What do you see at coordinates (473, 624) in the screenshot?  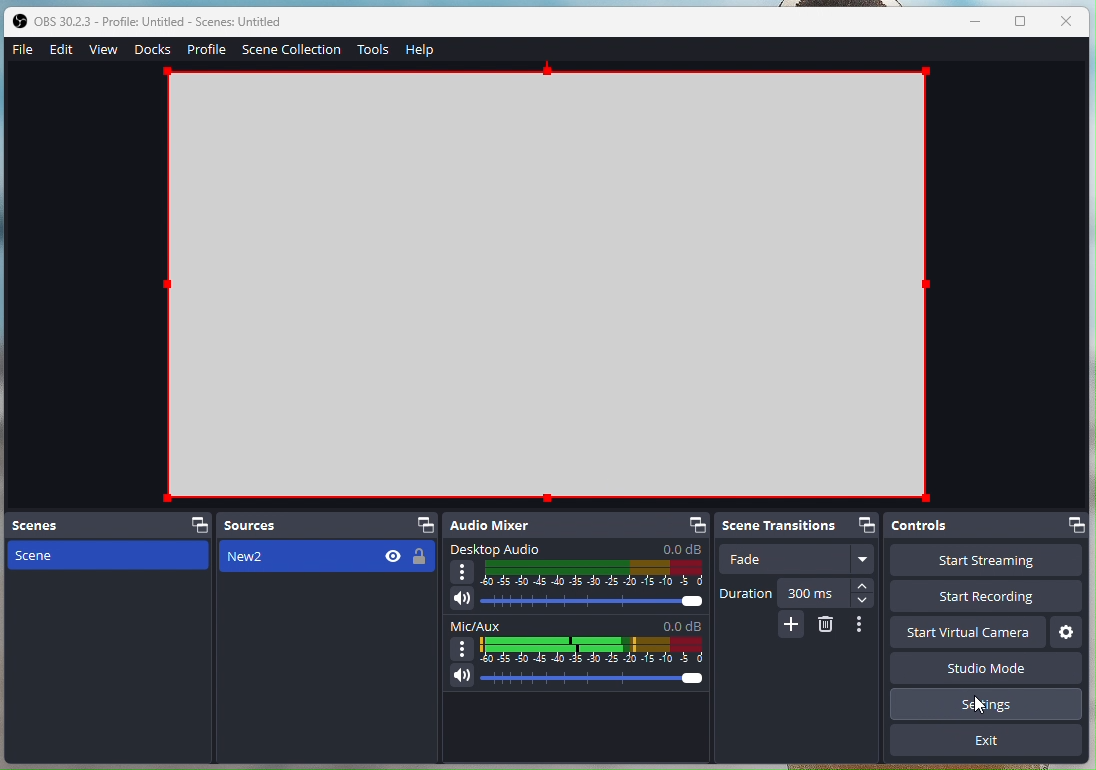 I see `Mic/Aux` at bounding box center [473, 624].